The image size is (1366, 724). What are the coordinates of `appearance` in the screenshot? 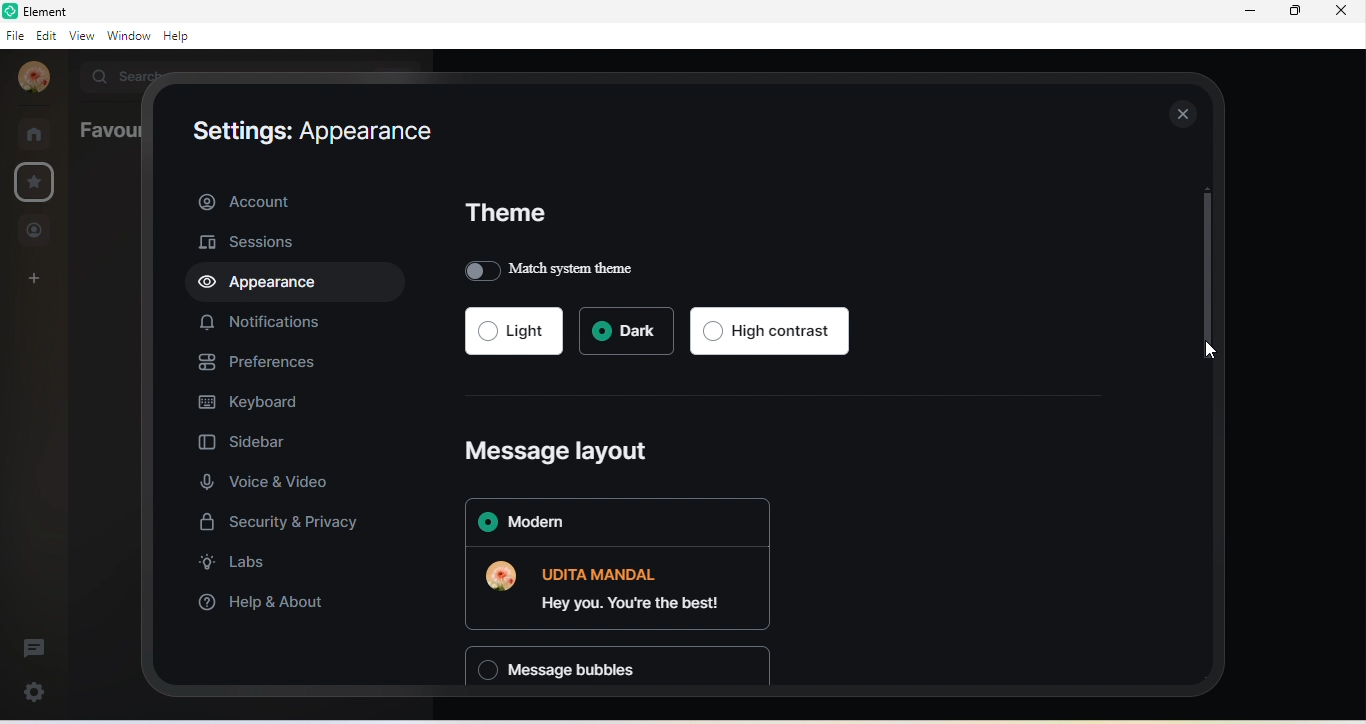 It's located at (268, 285).